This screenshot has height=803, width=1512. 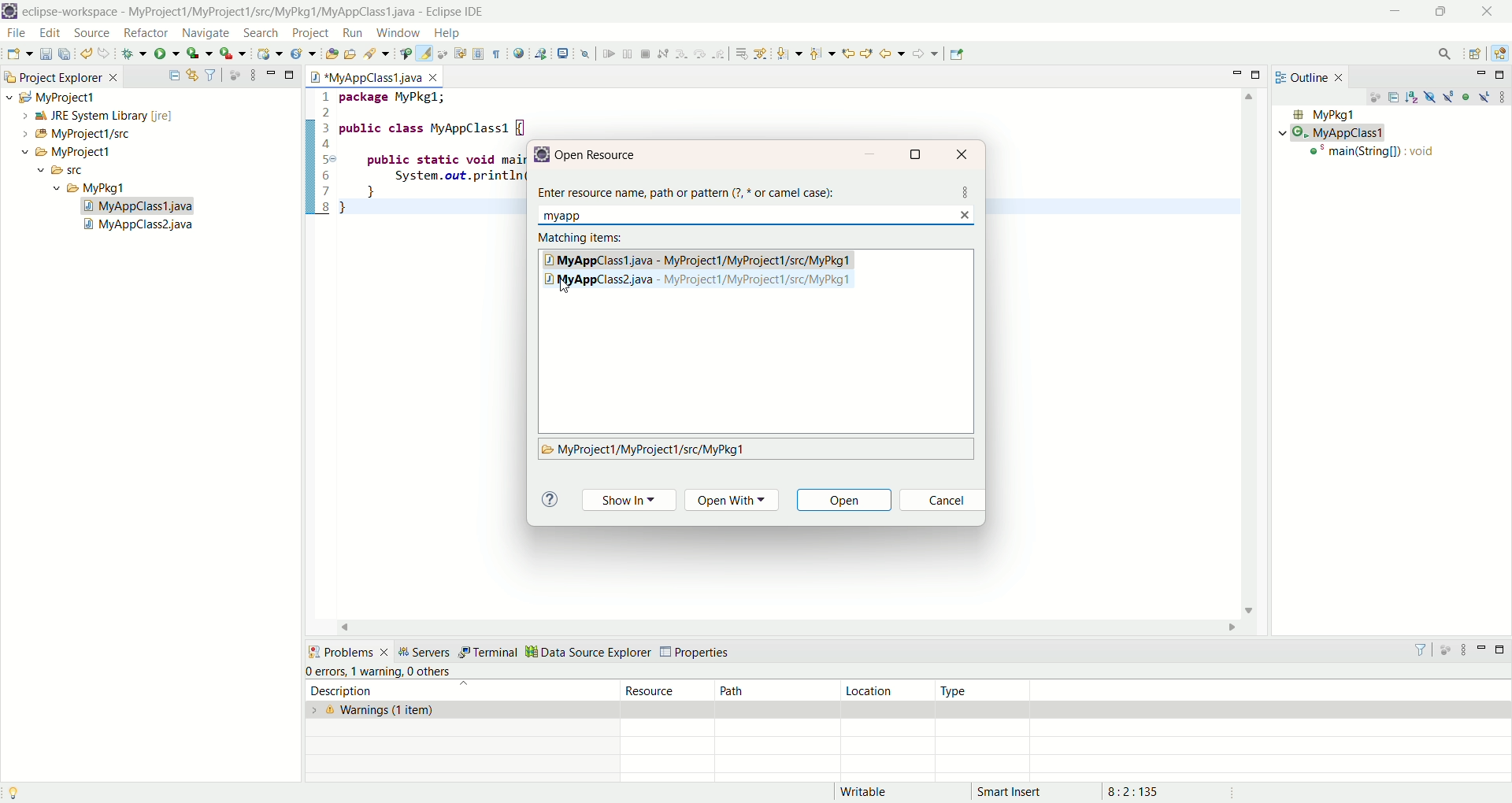 I want to click on focus on active task, so click(x=1447, y=650).